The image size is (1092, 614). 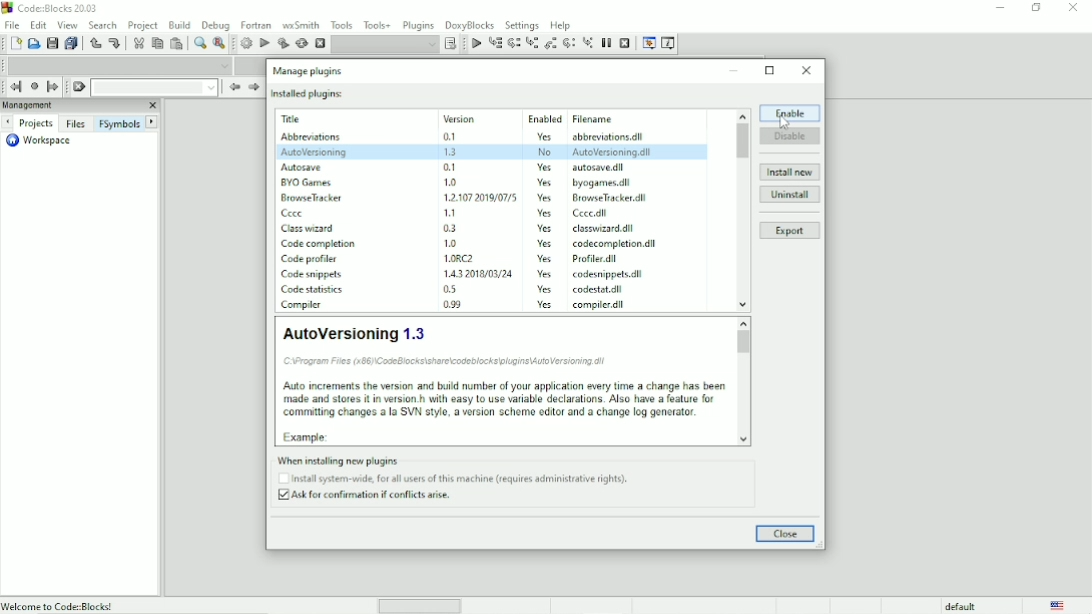 I want to click on Yes, so click(x=545, y=214).